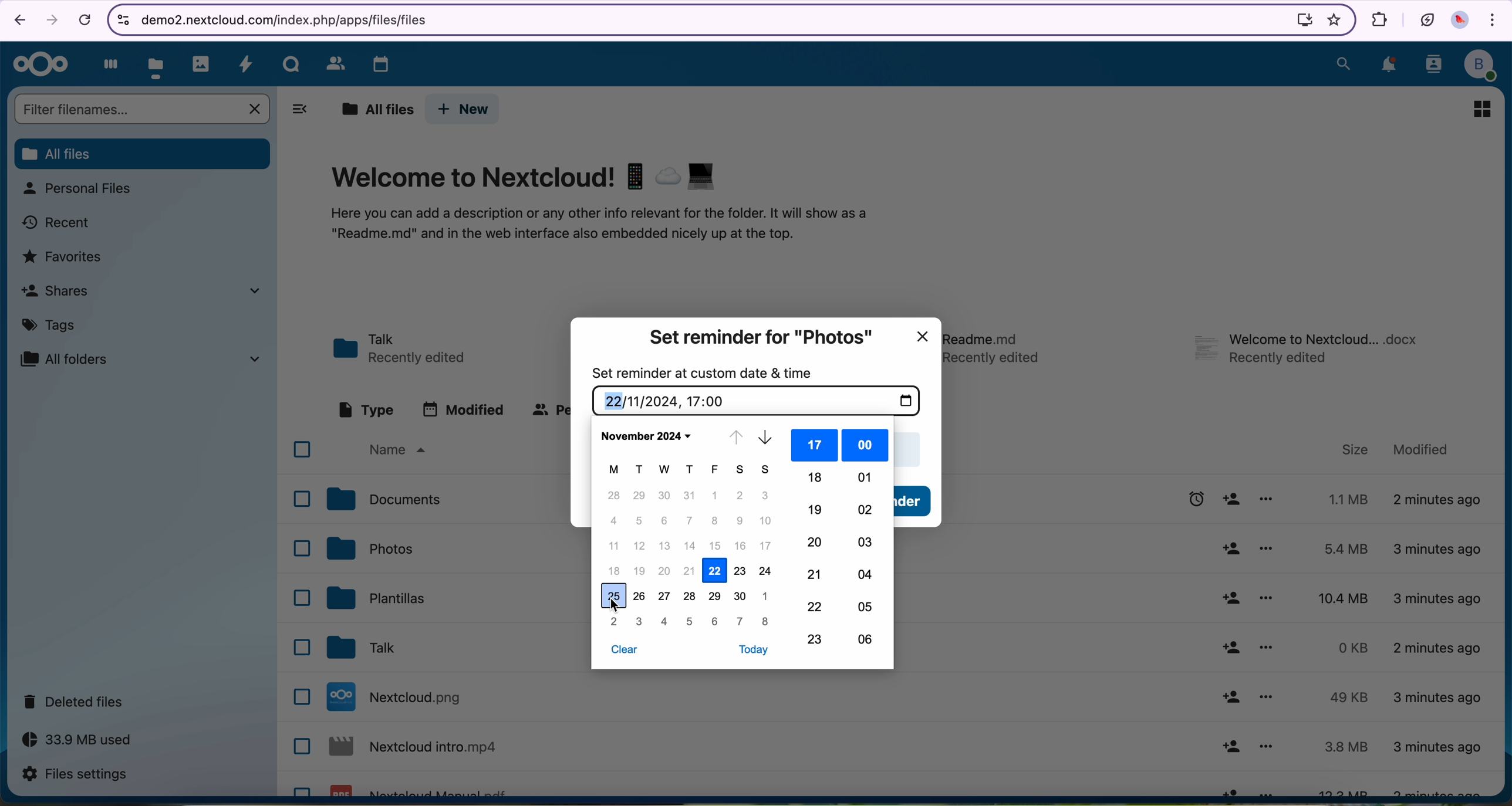 This screenshot has height=806, width=1512. Describe the element at coordinates (738, 596) in the screenshot. I see `30` at that location.